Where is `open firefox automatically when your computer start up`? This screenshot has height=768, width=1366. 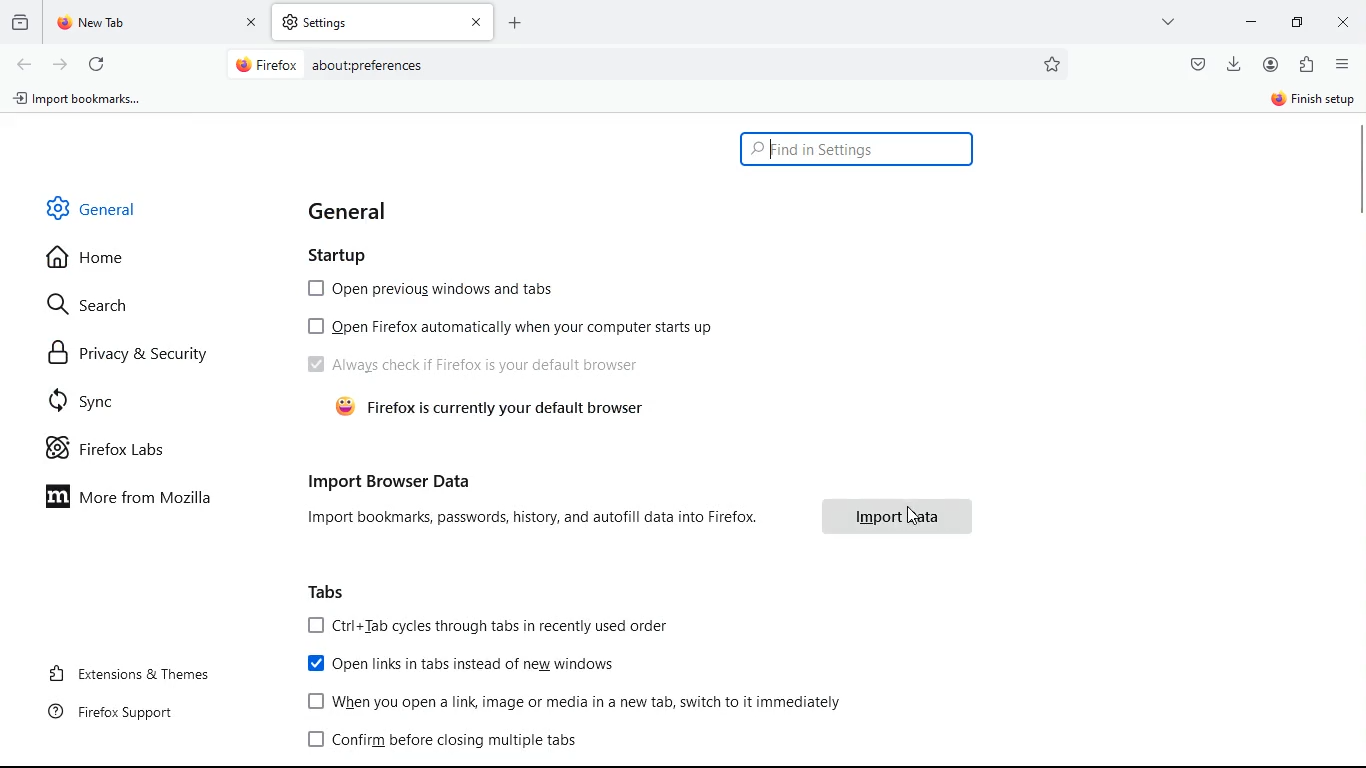 open firefox automatically when your computer start up is located at coordinates (511, 325).